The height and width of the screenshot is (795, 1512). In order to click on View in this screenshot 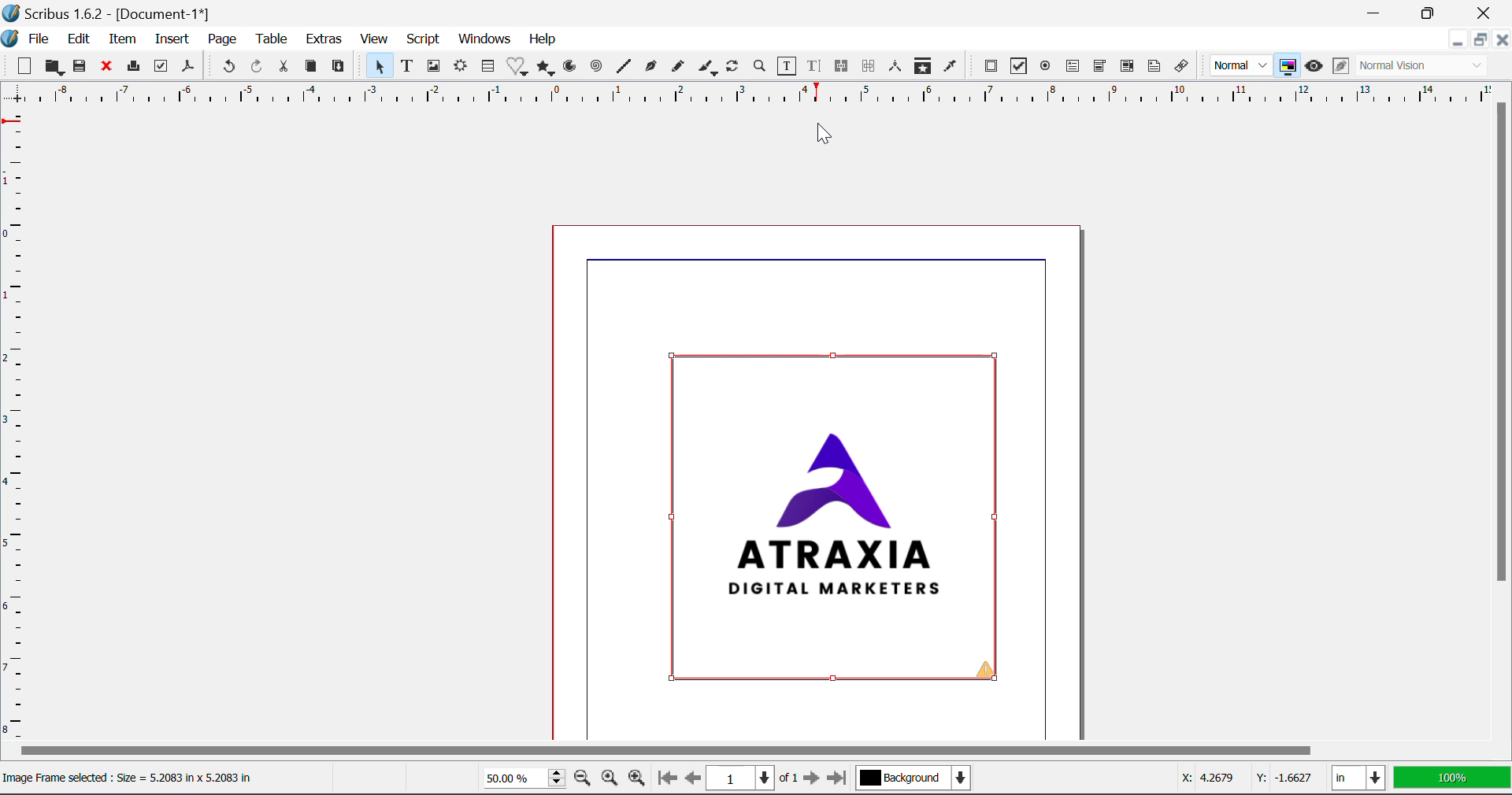, I will do `click(373, 39)`.